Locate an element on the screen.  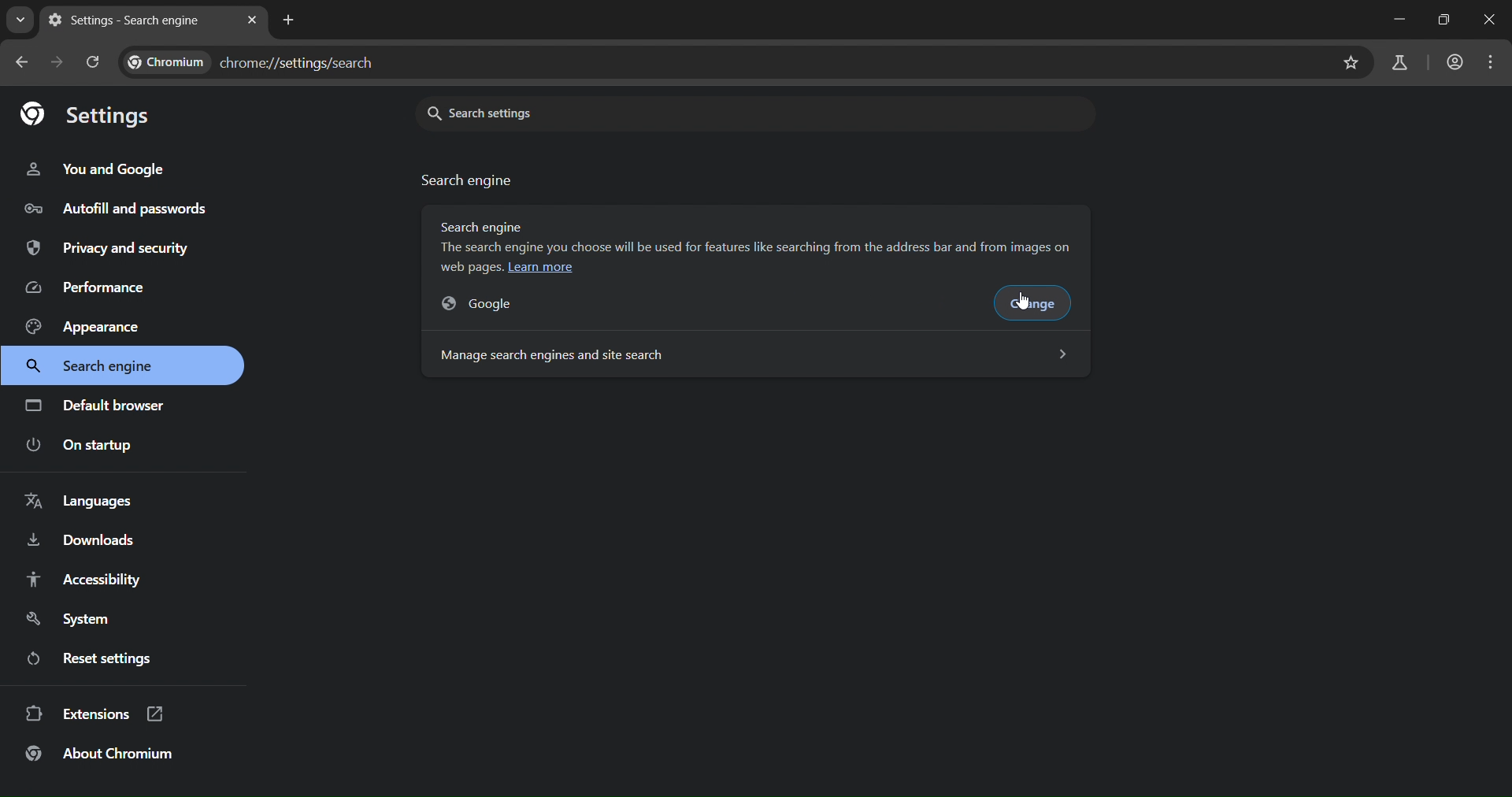
go back 1 page is located at coordinates (25, 64).